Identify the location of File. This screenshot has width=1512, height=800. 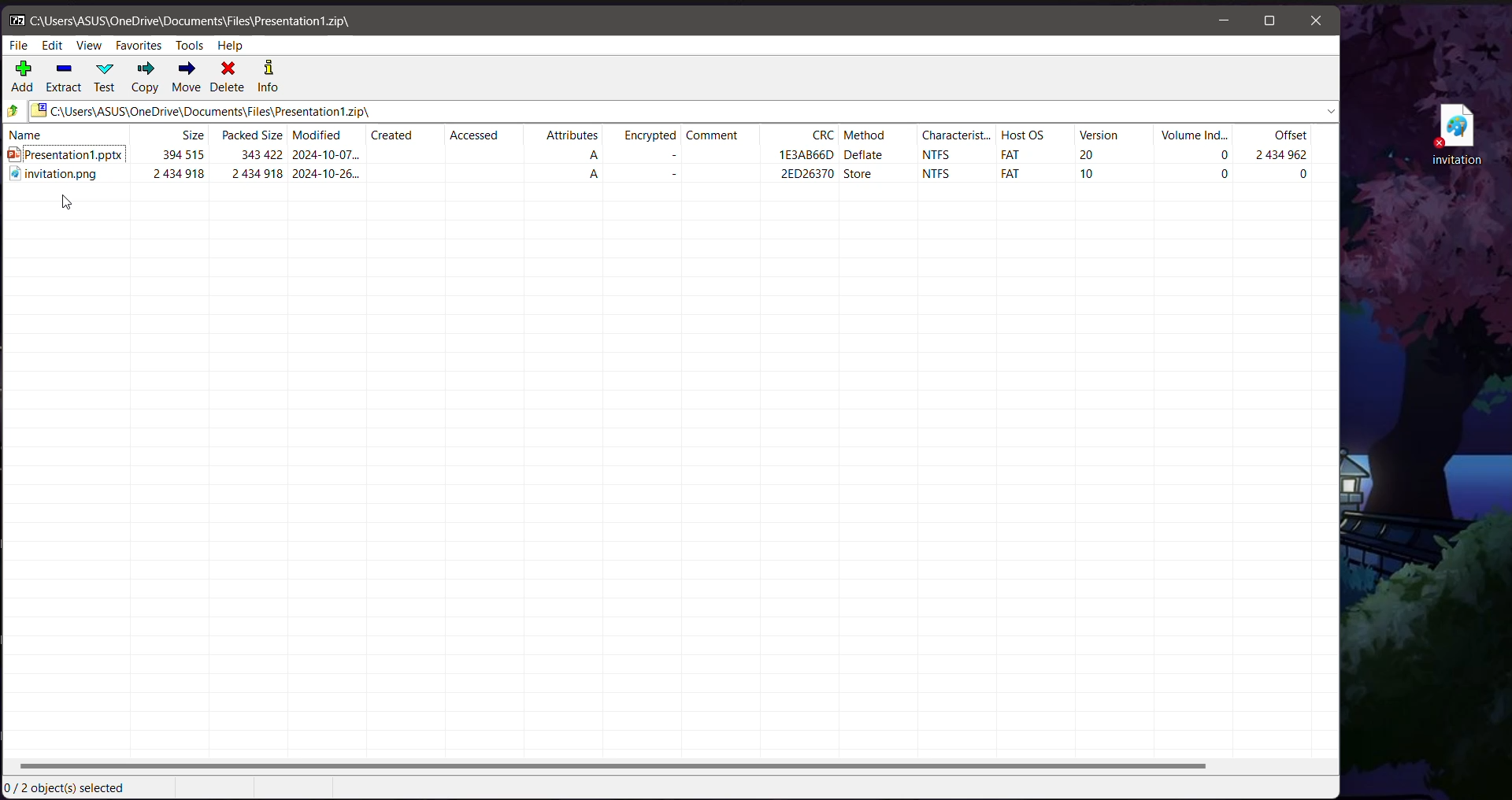
(20, 44).